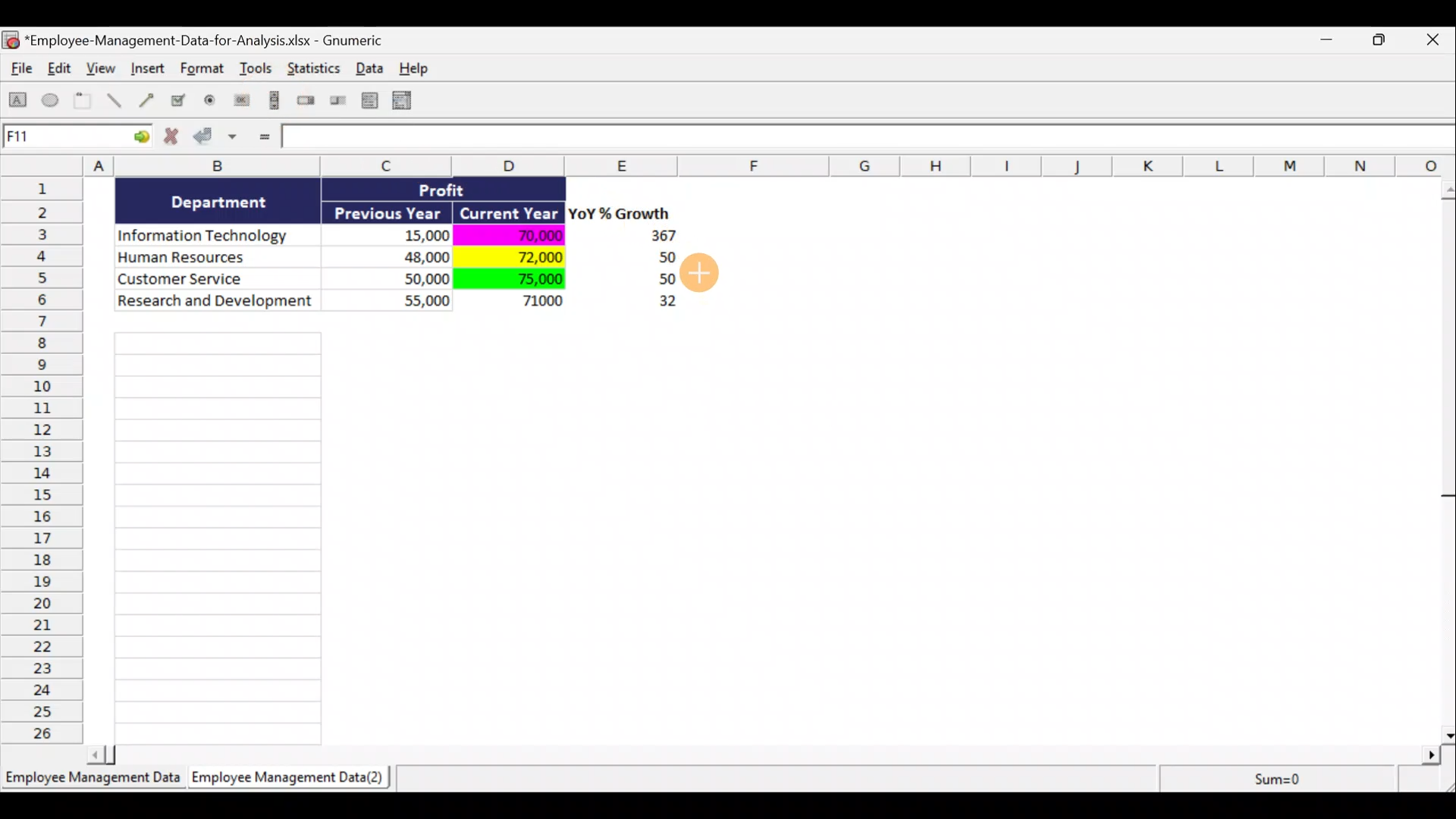 The width and height of the screenshot is (1456, 819). Describe the element at coordinates (1330, 42) in the screenshot. I see `Minimise` at that location.